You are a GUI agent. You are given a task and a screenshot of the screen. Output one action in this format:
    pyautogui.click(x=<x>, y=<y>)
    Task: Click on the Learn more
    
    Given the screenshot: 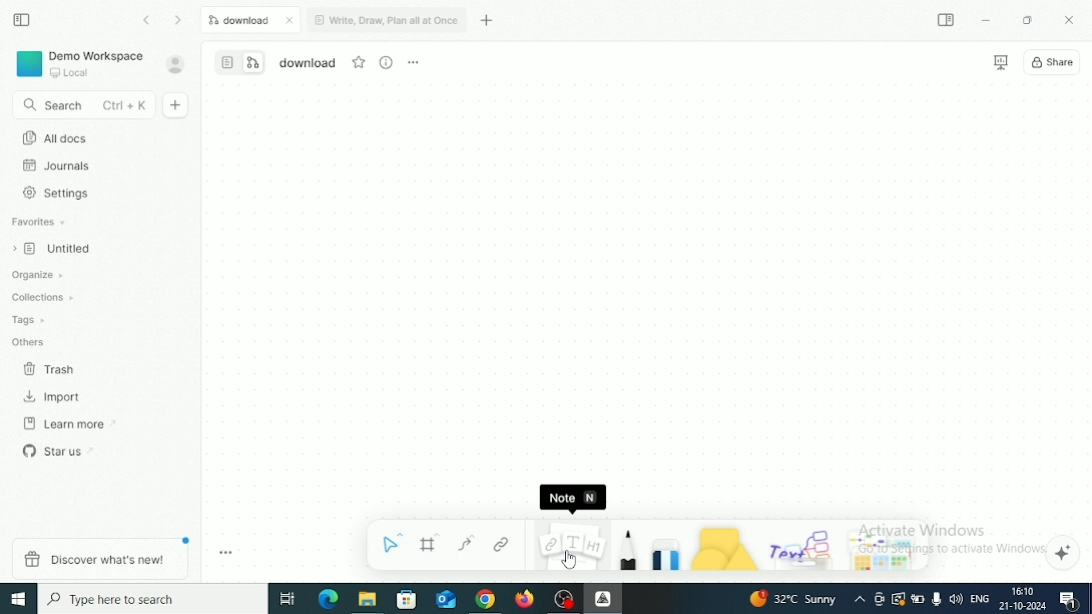 What is the action you would take?
    pyautogui.click(x=71, y=423)
    